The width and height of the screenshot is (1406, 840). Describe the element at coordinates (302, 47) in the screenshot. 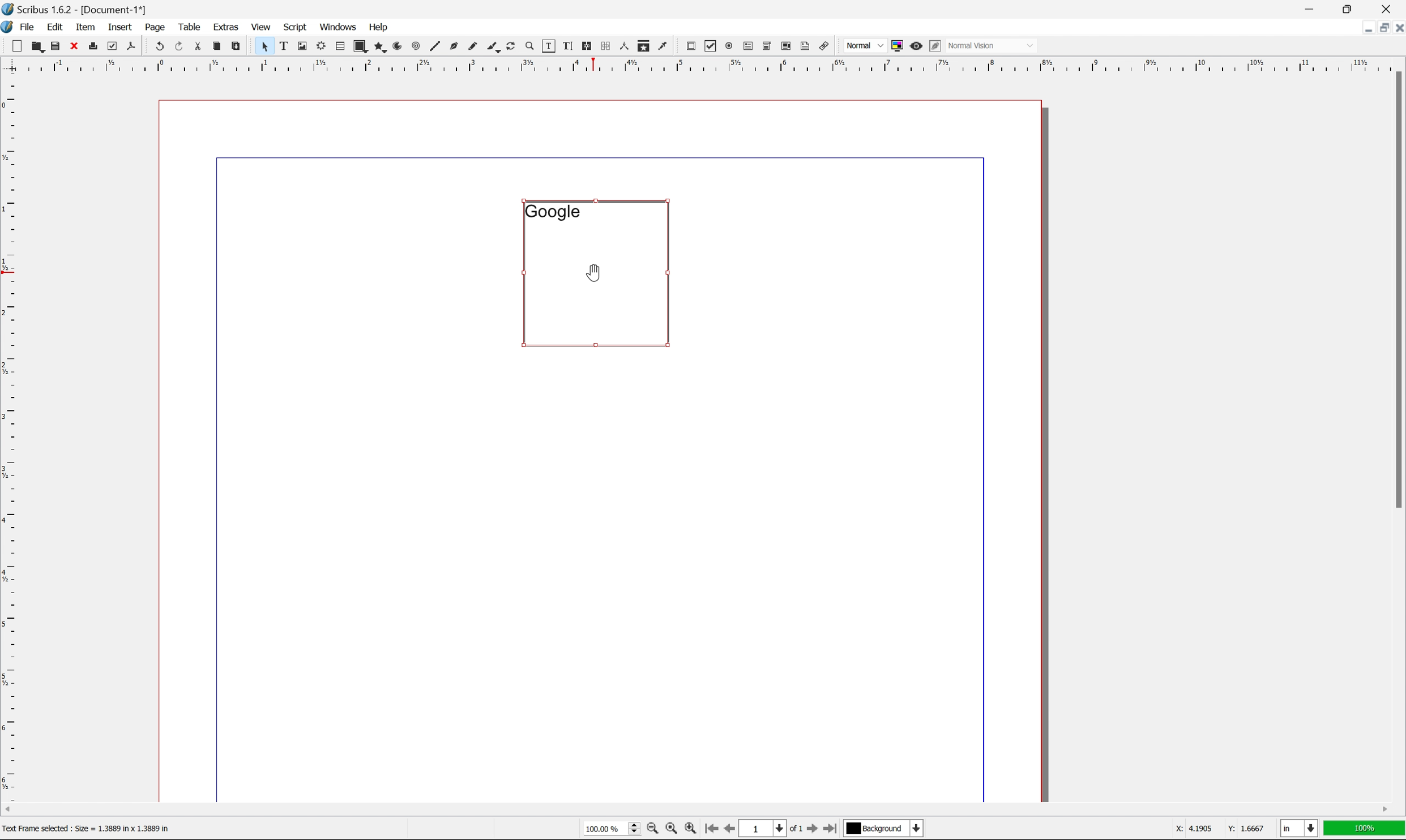

I see `image frame` at that location.